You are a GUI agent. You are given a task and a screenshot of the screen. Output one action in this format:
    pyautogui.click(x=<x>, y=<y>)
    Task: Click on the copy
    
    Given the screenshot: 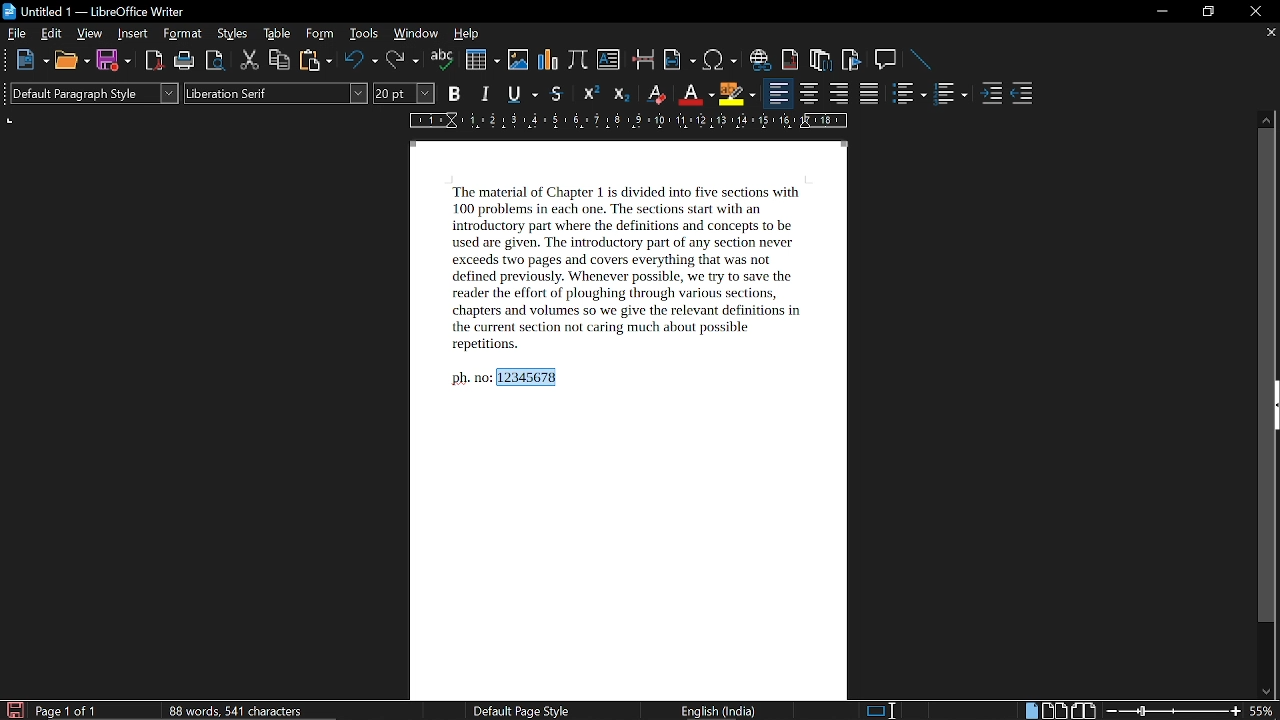 What is the action you would take?
    pyautogui.click(x=280, y=61)
    